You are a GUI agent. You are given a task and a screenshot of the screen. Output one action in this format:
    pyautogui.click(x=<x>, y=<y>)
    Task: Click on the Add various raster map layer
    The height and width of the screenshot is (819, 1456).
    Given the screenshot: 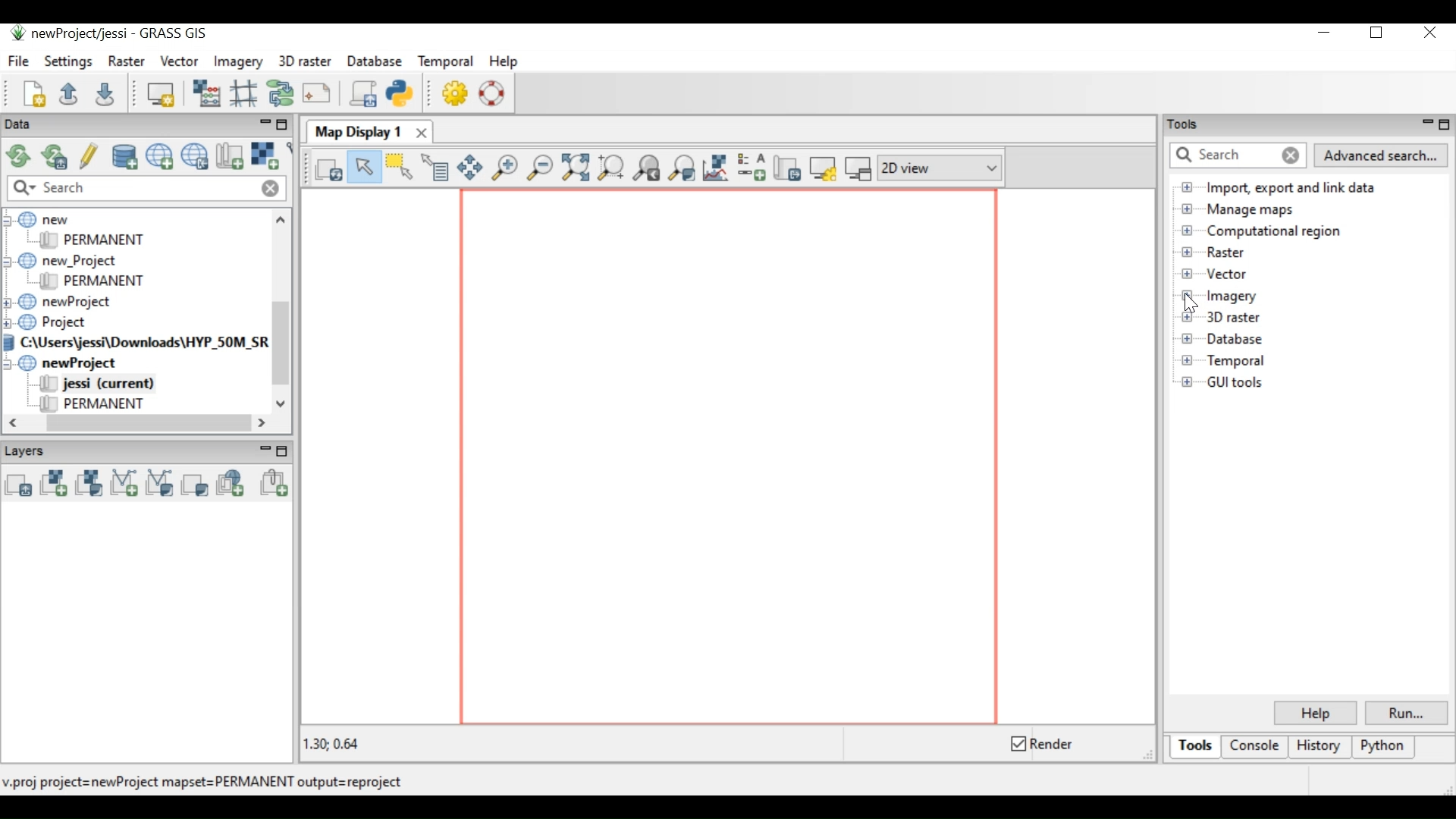 What is the action you would take?
    pyautogui.click(x=89, y=484)
    